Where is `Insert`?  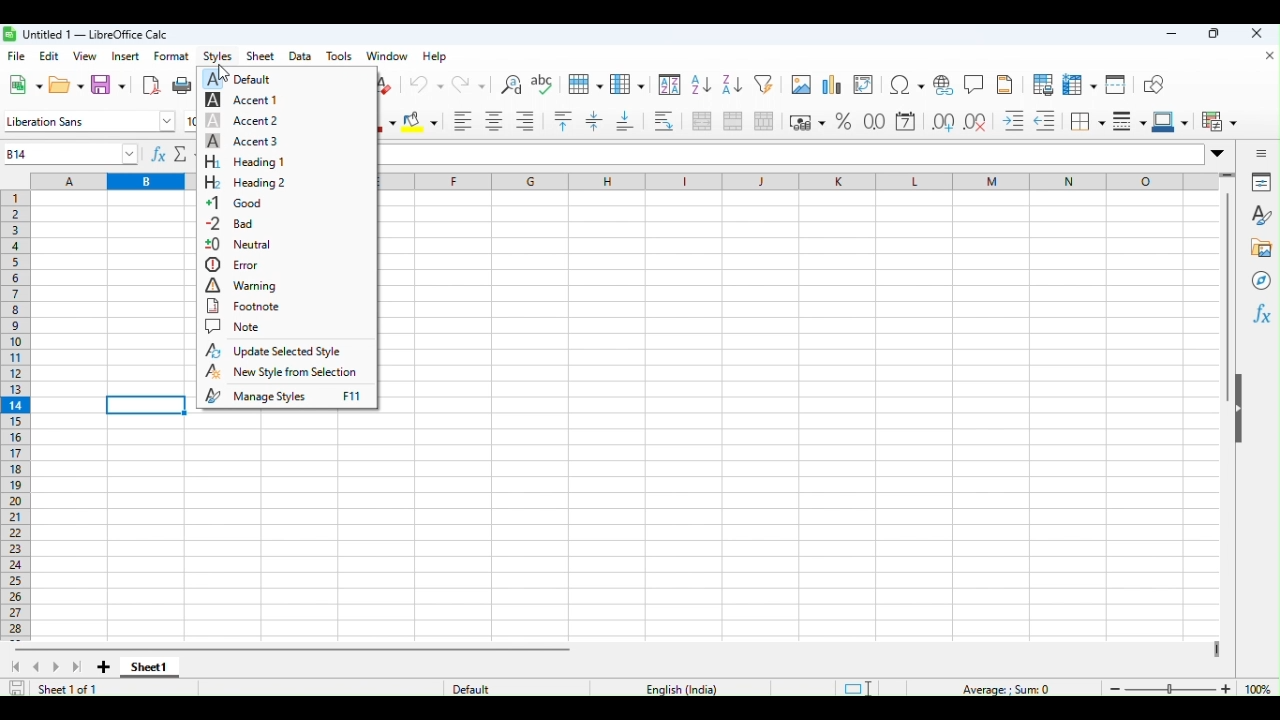 Insert is located at coordinates (125, 55).